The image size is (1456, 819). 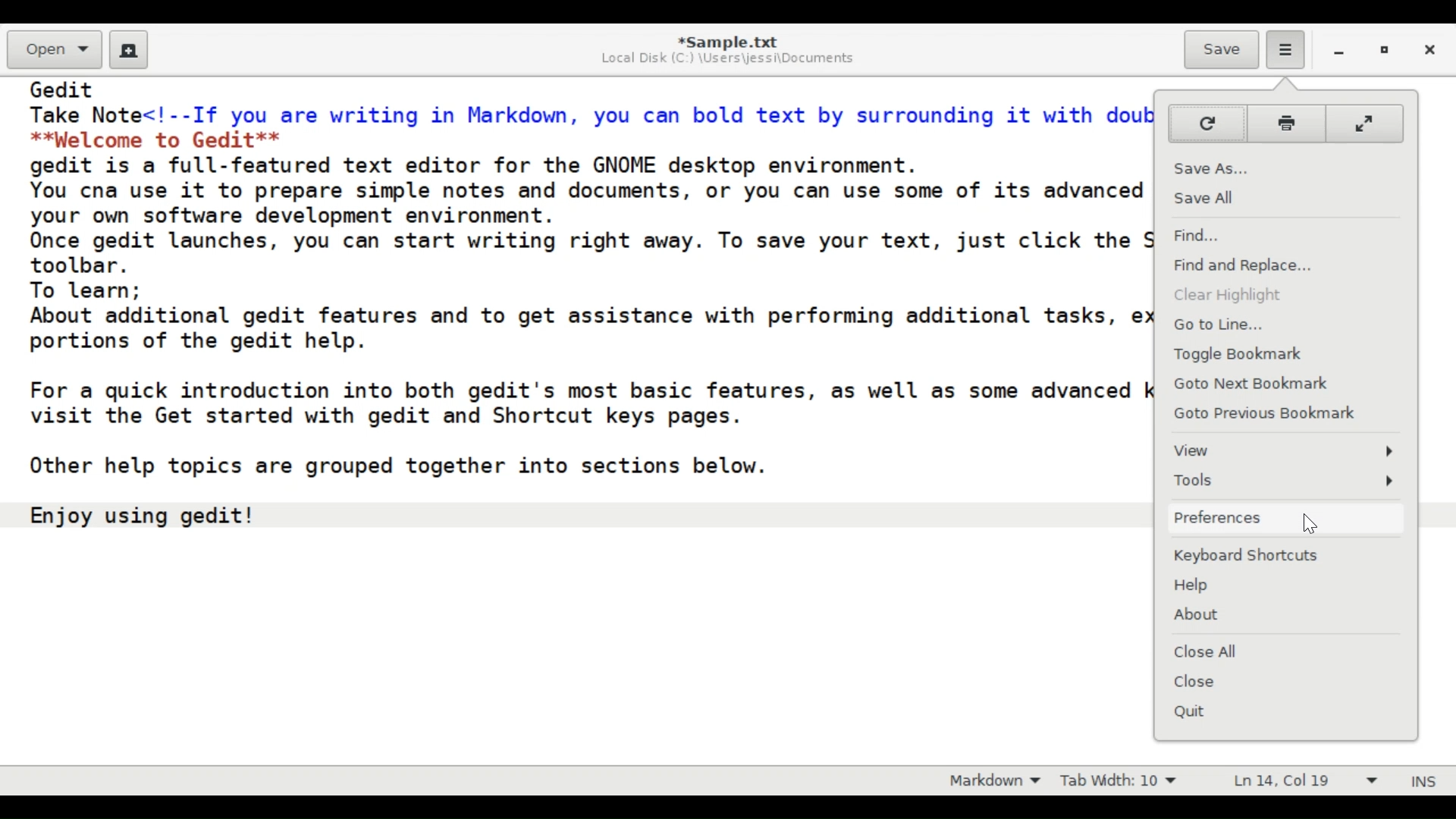 What do you see at coordinates (1281, 325) in the screenshot?
I see `Go to Line` at bounding box center [1281, 325].